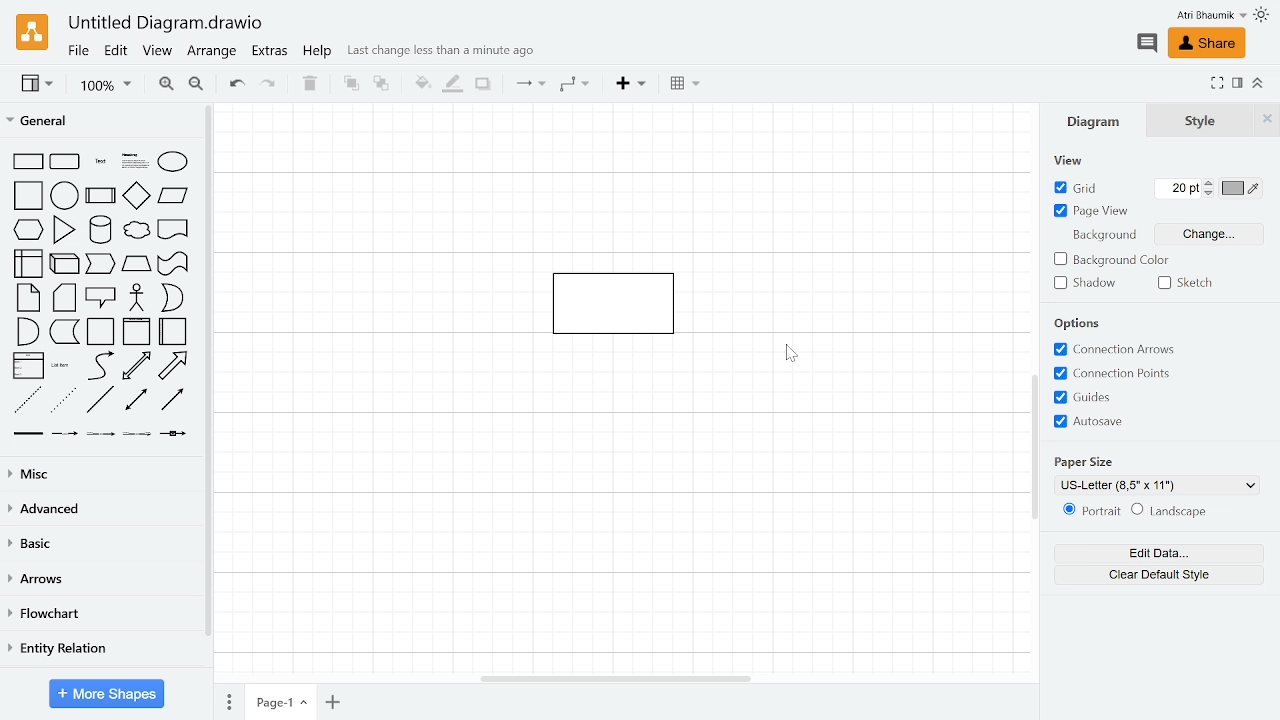 This screenshot has height=720, width=1280. What do you see at coordinates (1216, 83) in the screenshot?
I see `Fullscreen` at bounding box center [1216, 83].